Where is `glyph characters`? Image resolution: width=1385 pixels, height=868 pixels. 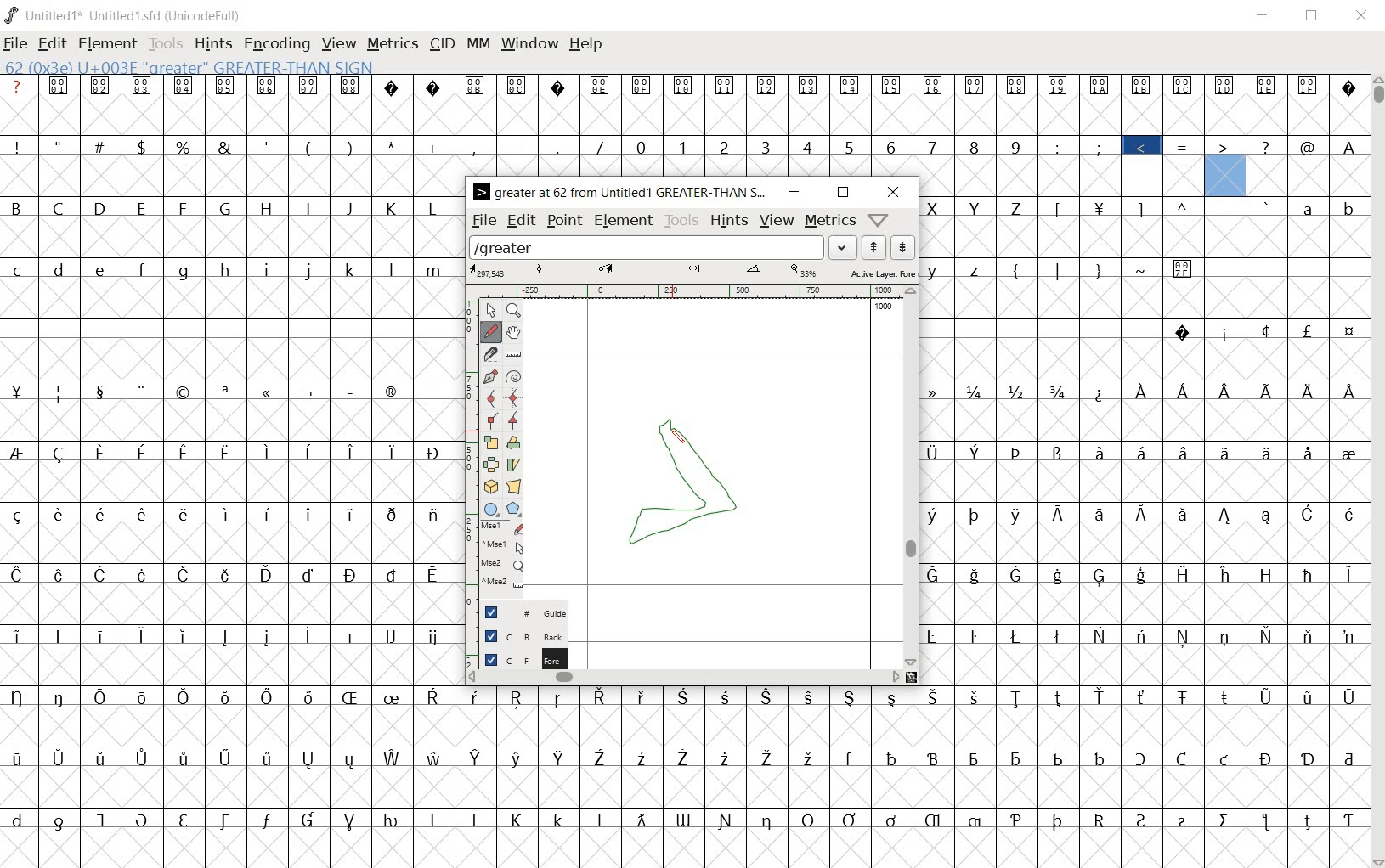
glyph characters is located at coordinates (1145, 442).